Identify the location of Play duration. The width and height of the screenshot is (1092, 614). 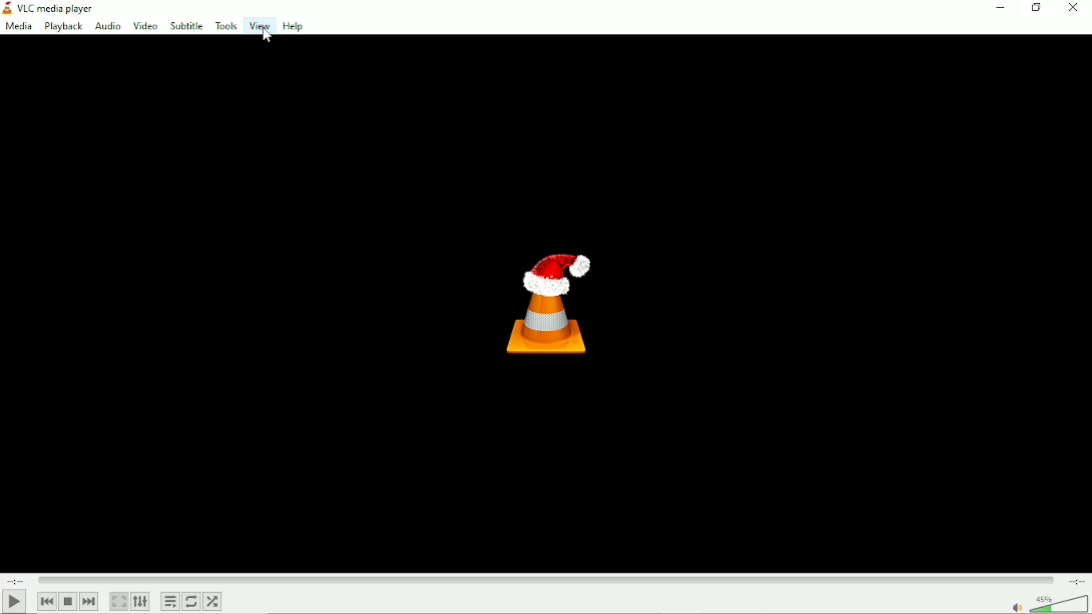
(546, 580).